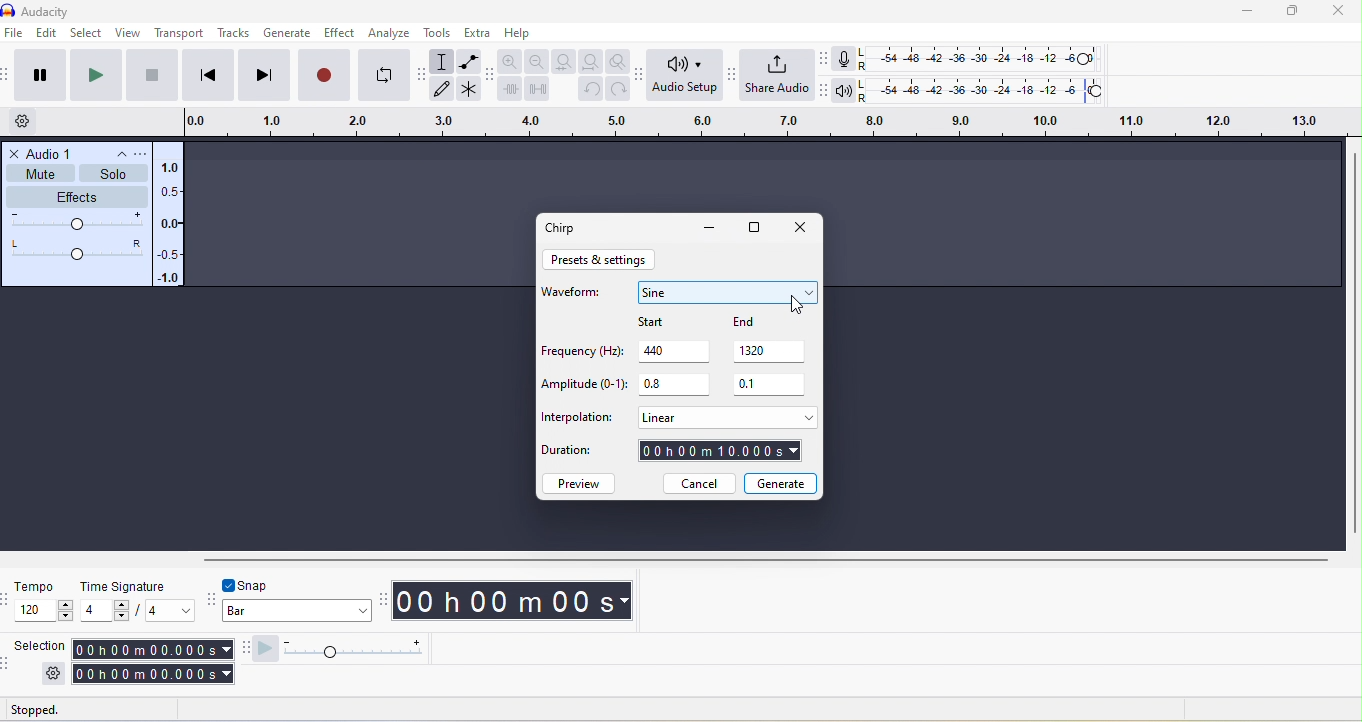 This screenshot has height=722, width=1362. What do you see at coordinates (444, 61) in the screenshot?
I see `selection tool` at bounding box center [444, 61].